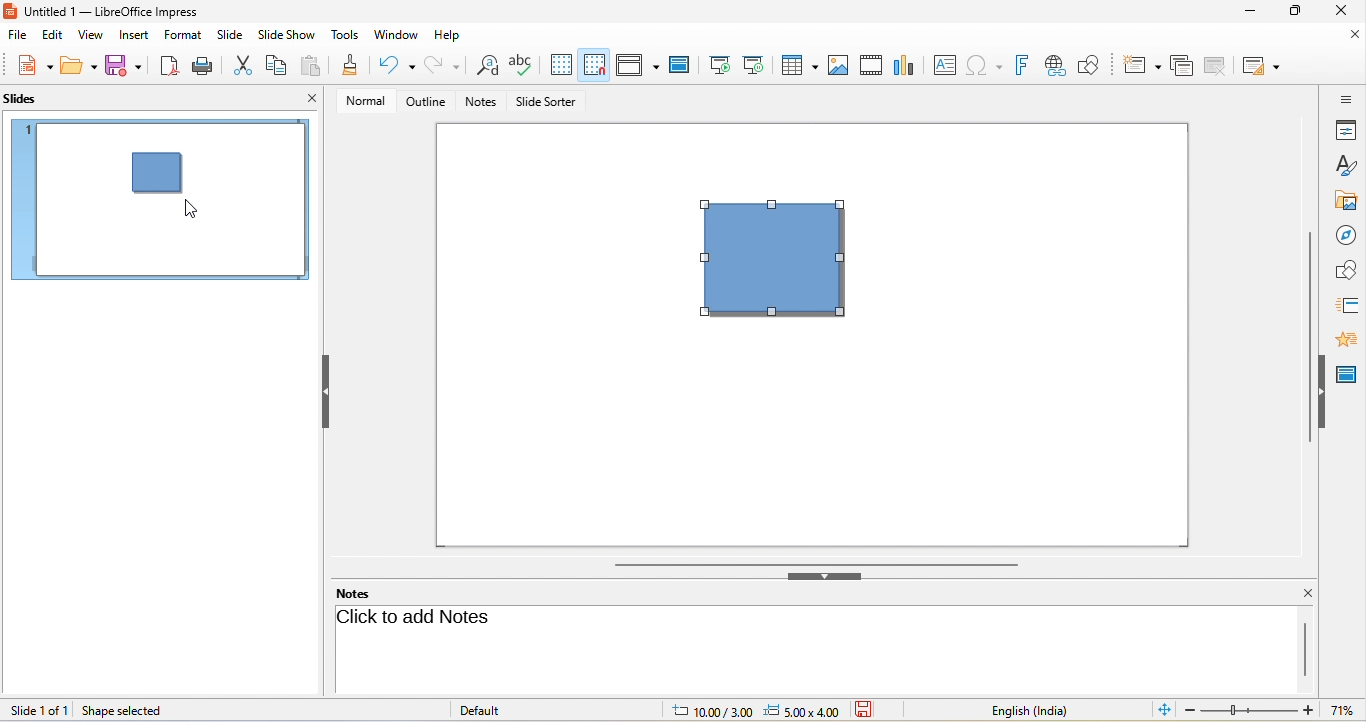 The height and width of the screenshot is (722, 1366). I want to click on view, so click(92, 35).